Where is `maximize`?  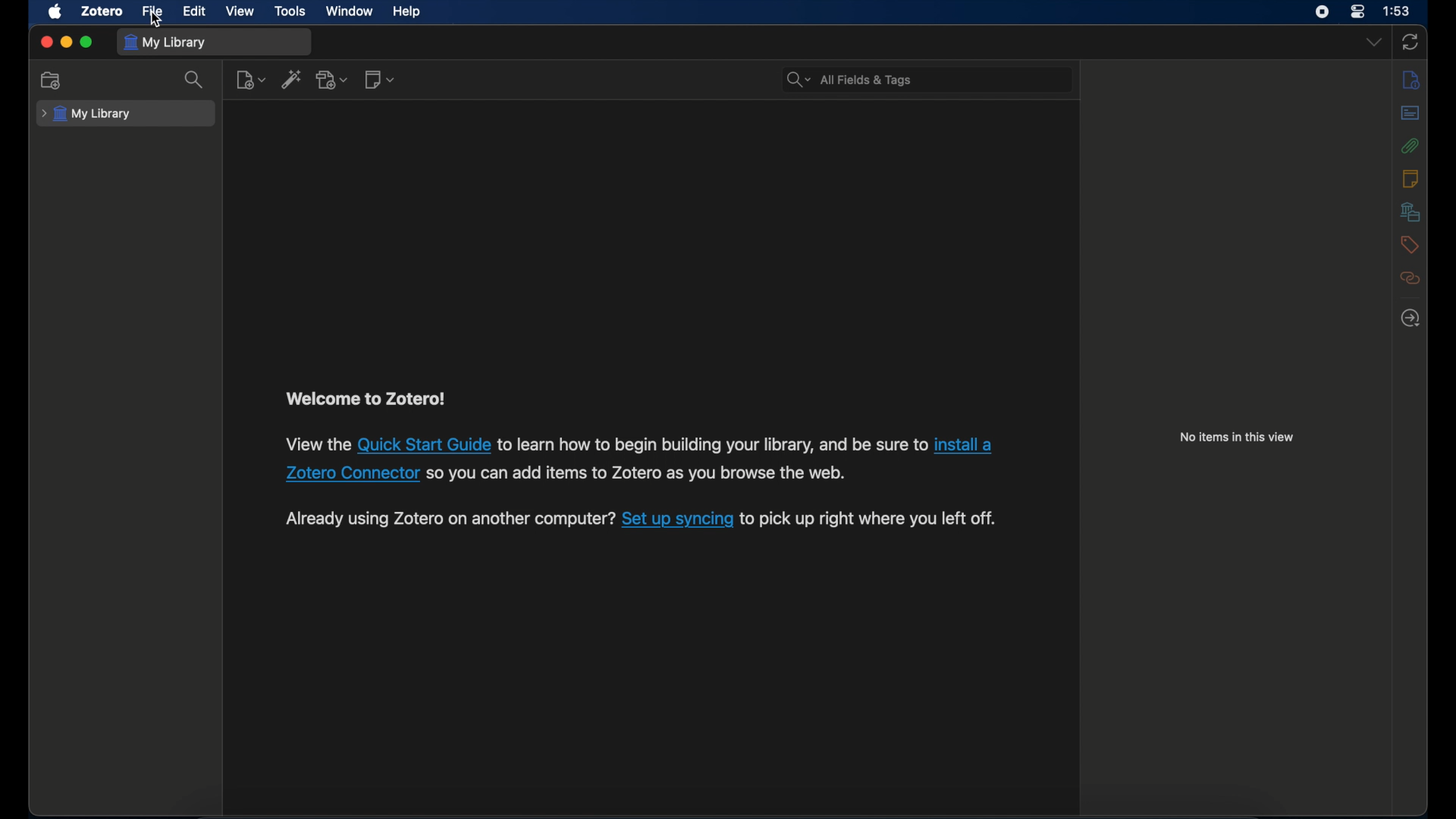
maximize is located at coordinates (86, 42).